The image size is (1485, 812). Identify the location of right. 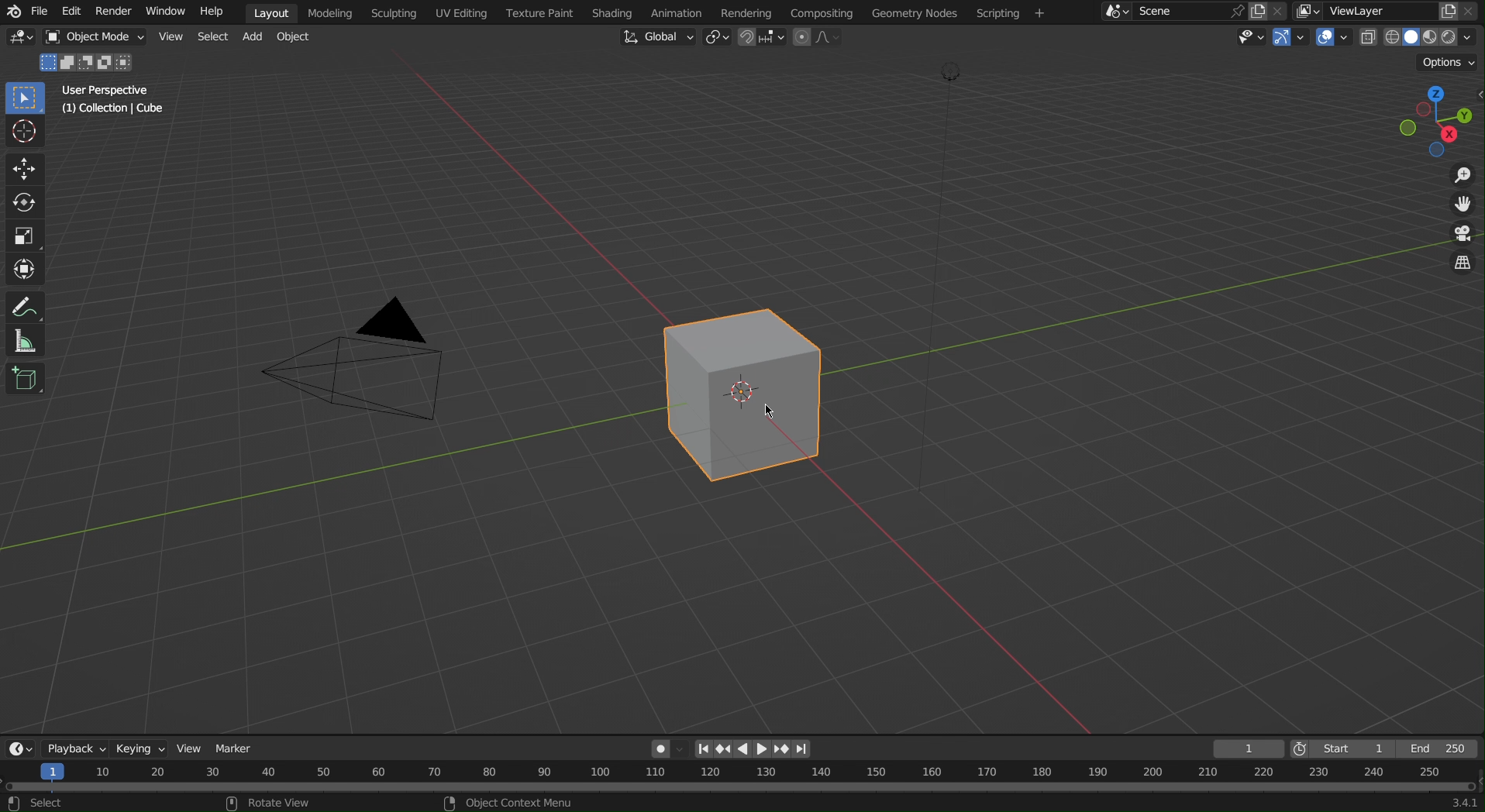
(763, 749).